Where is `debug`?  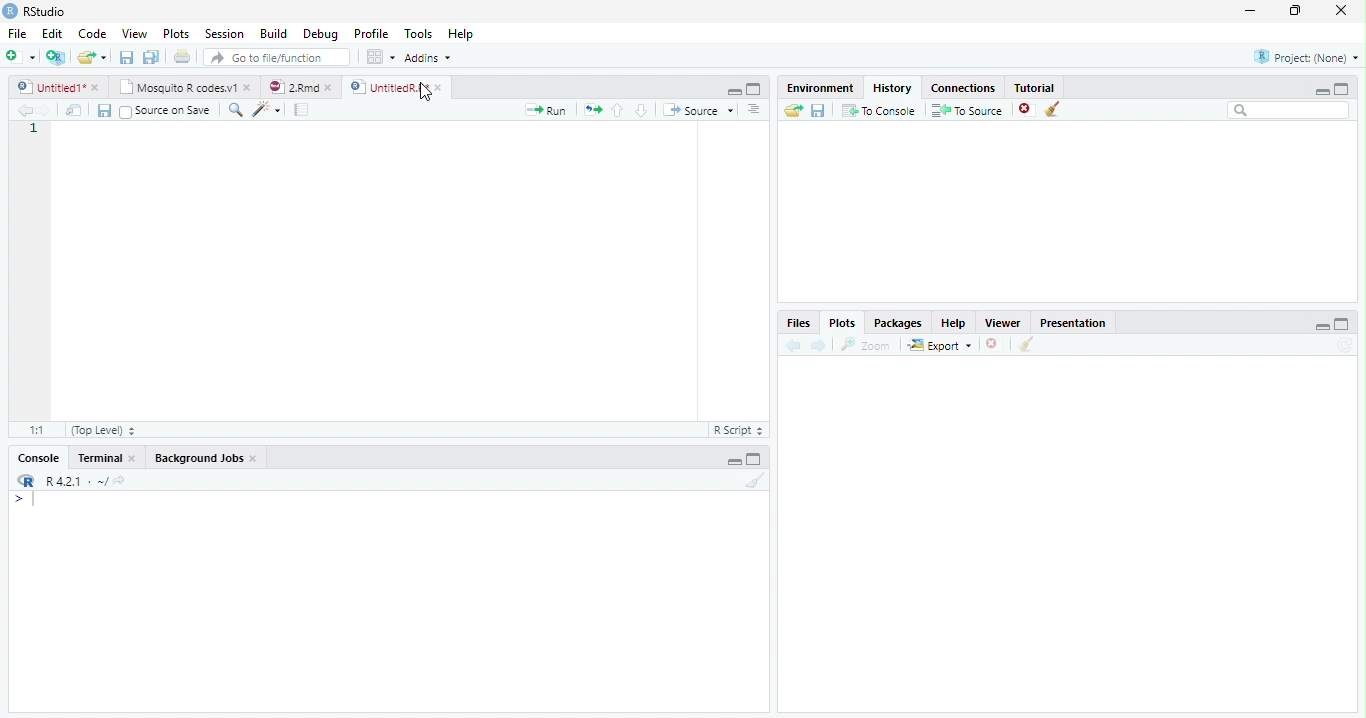
debug is located at coordinates (323, 35).